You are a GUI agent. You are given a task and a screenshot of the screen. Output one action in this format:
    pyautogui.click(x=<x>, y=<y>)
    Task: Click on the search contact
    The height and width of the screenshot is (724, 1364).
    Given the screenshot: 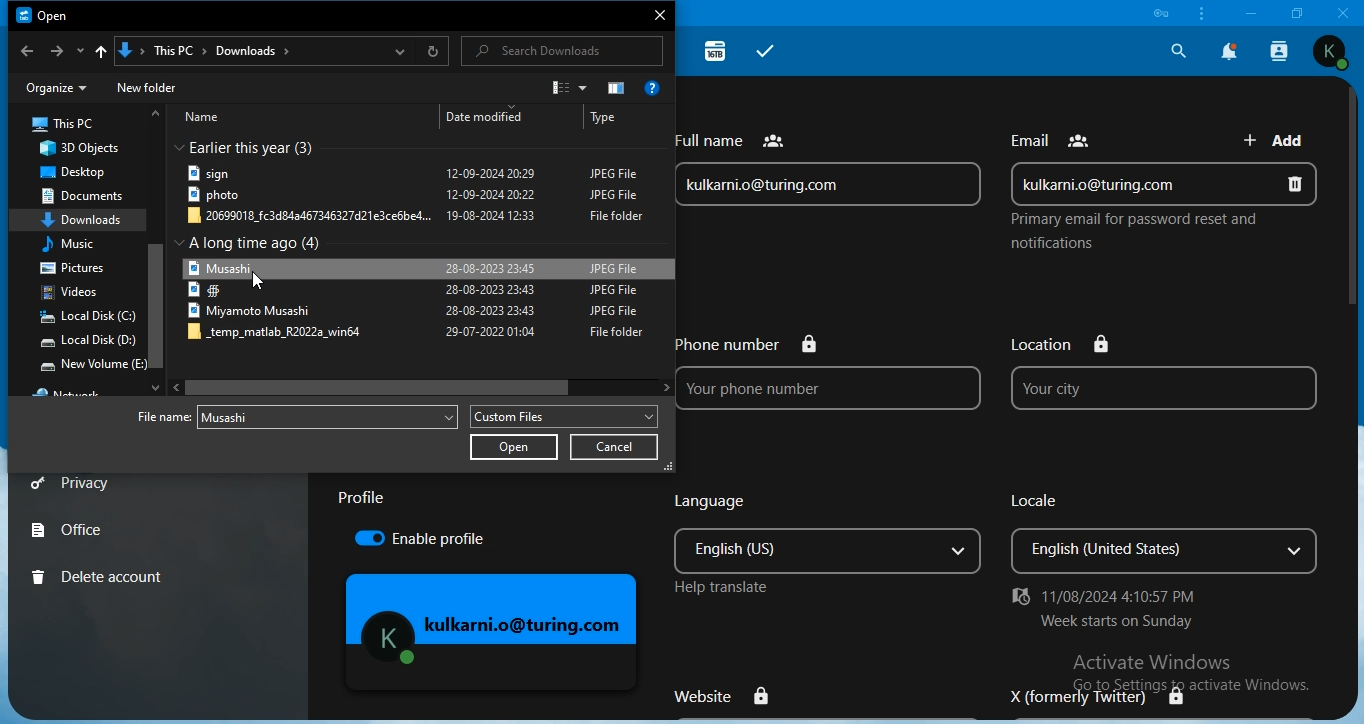 What is the action you would take?
    pyautogui.click(x=1281, y=51)
    